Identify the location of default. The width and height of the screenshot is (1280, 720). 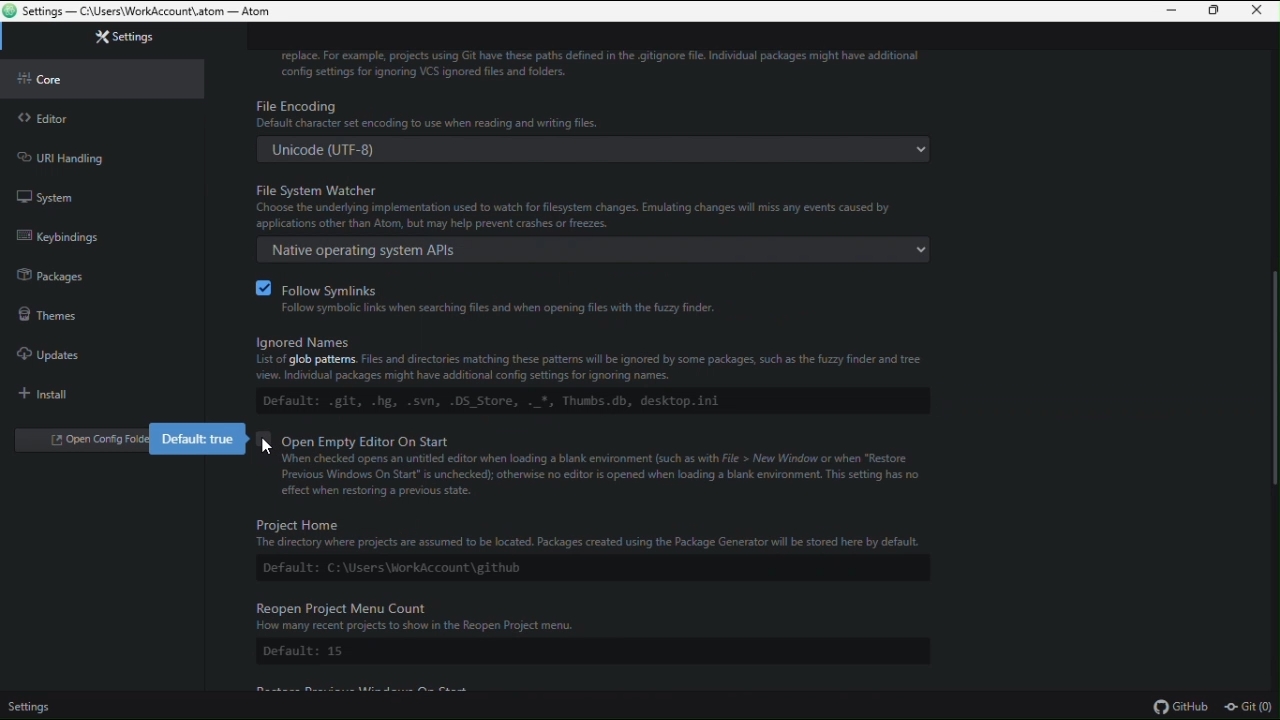
(591, 653).